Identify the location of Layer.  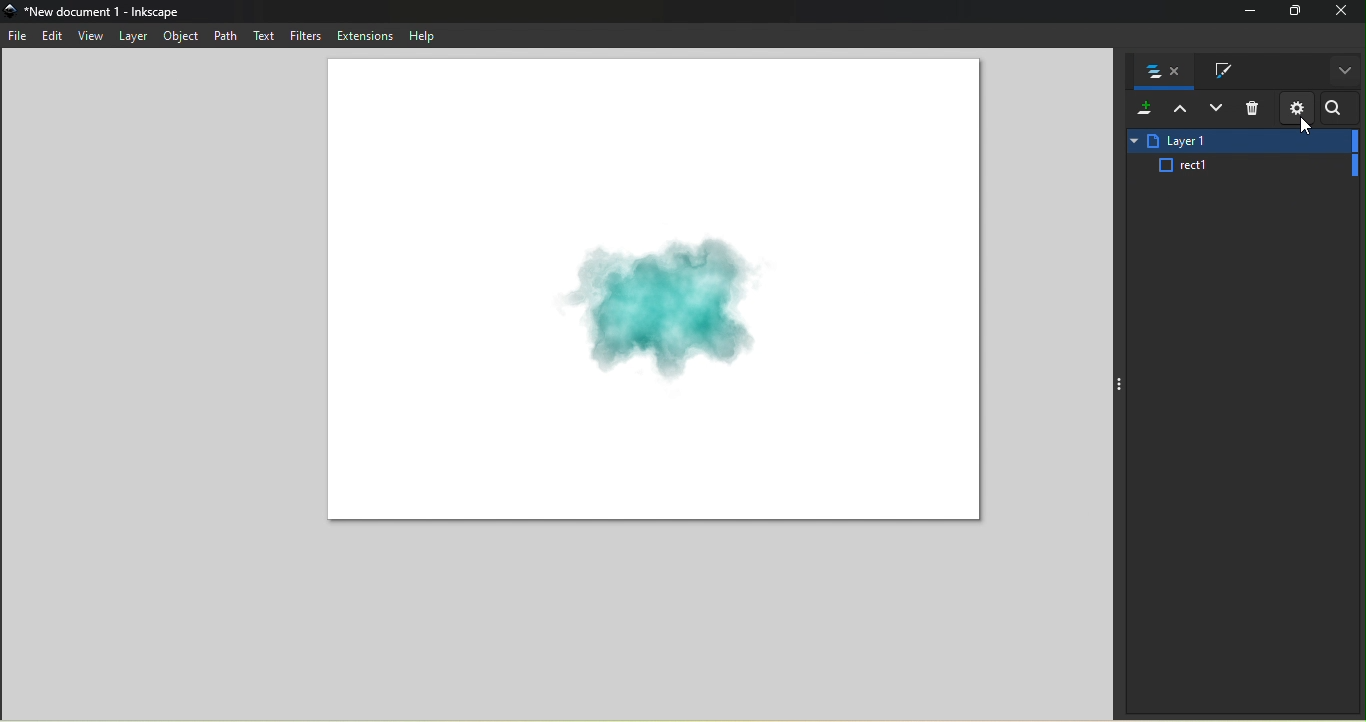
(1240, 166).